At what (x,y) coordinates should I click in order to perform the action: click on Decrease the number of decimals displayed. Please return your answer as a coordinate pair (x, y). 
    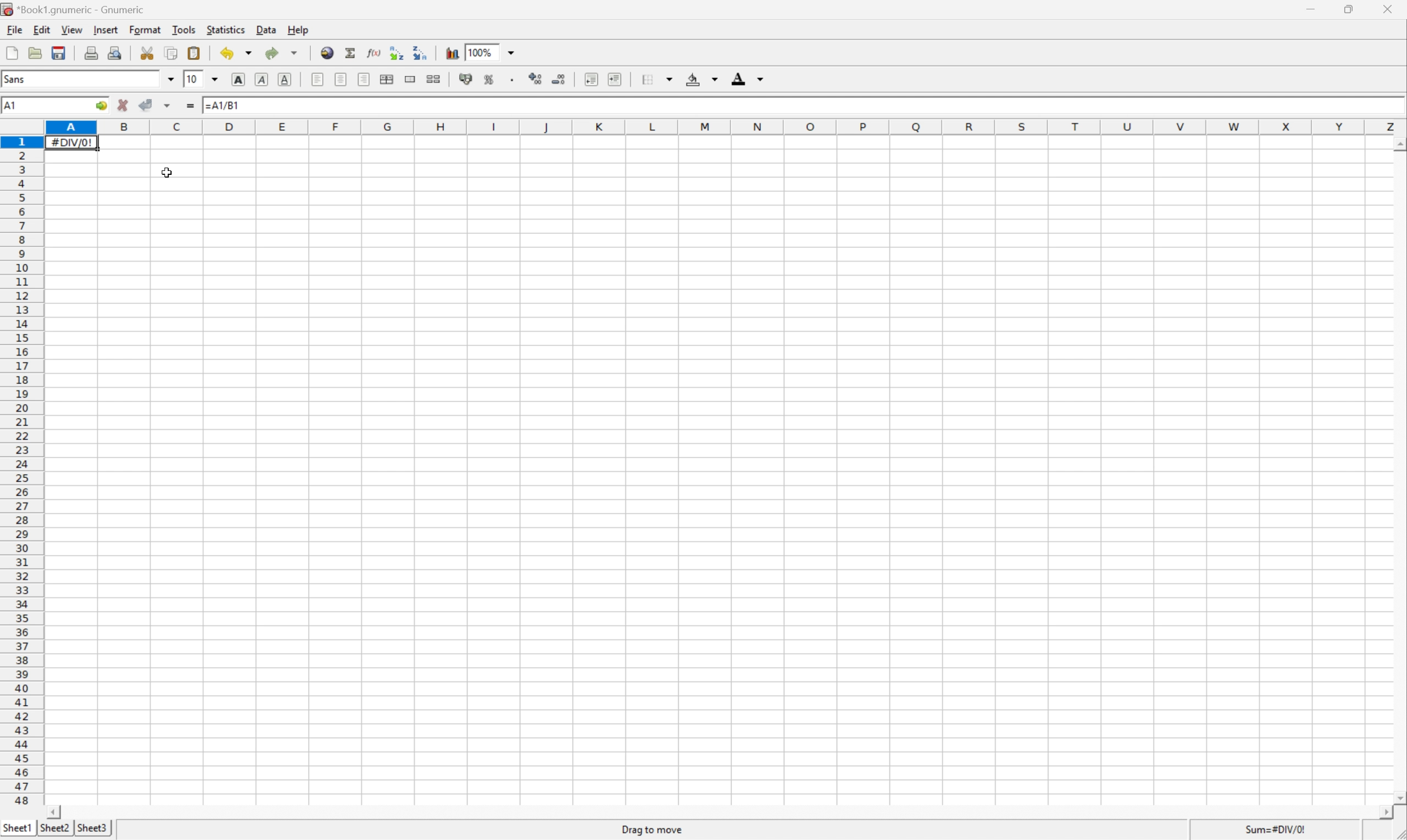
    Looking at the image, I should click on (561, 78).